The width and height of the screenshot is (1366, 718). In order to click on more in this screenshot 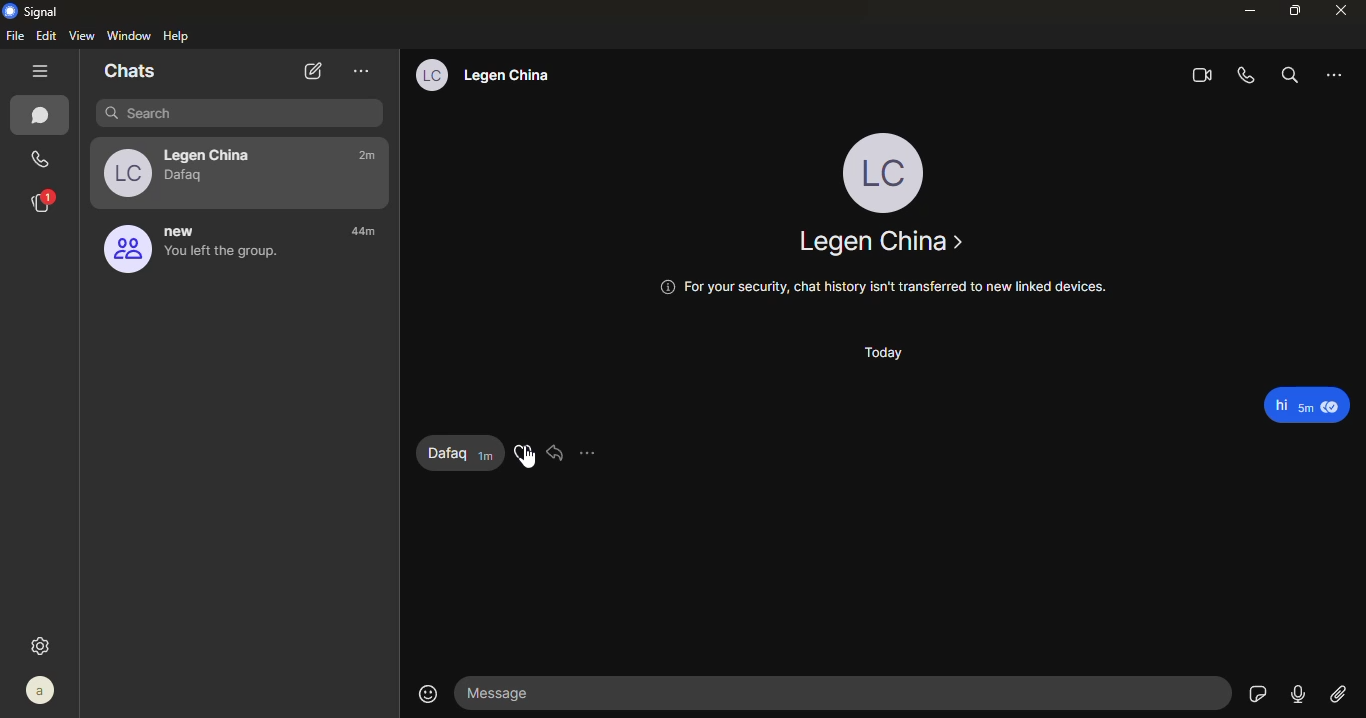, I will do `click(589, 453)`.